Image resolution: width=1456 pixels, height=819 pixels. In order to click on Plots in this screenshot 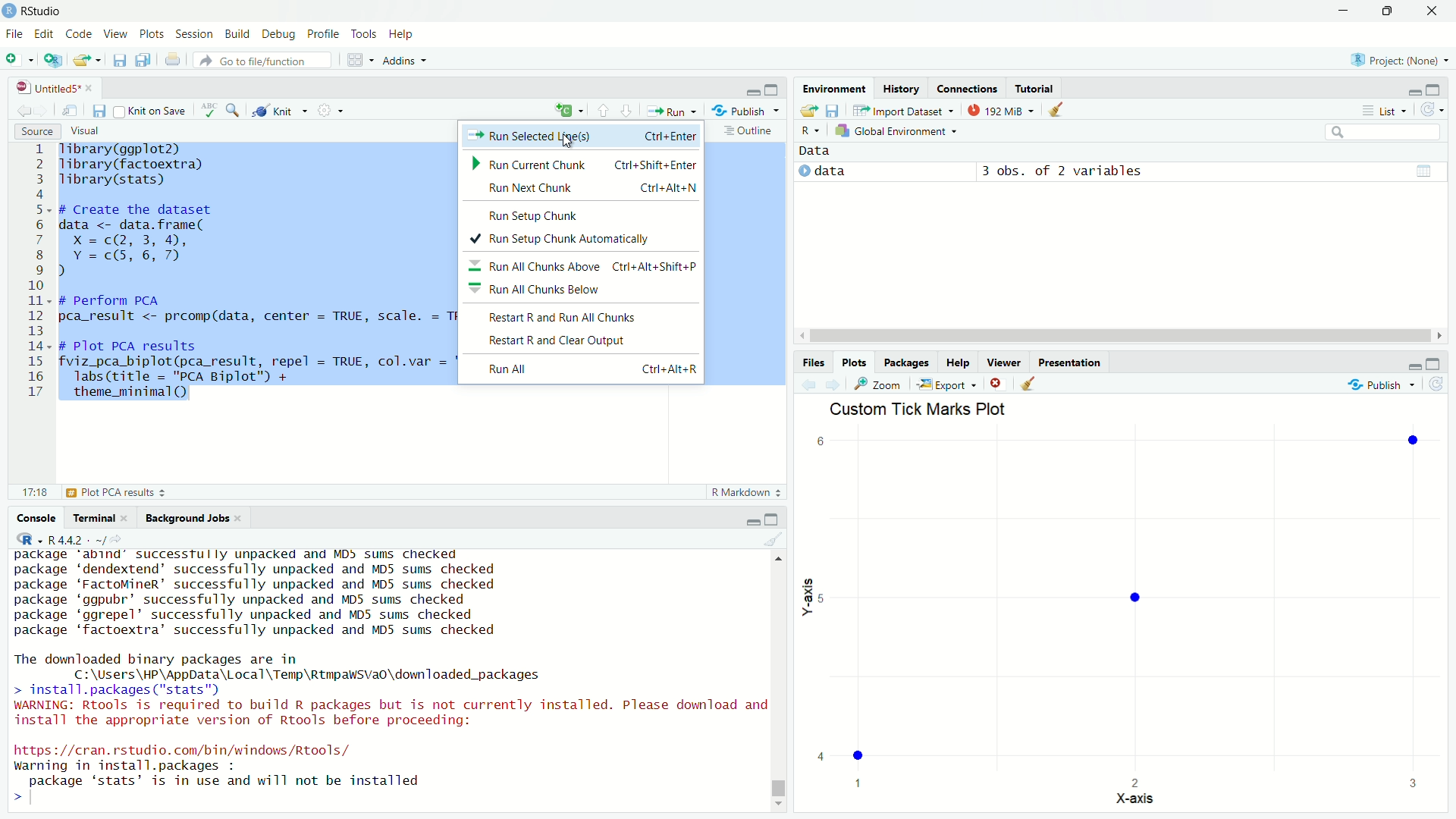, I will do `click(855, 362)`.